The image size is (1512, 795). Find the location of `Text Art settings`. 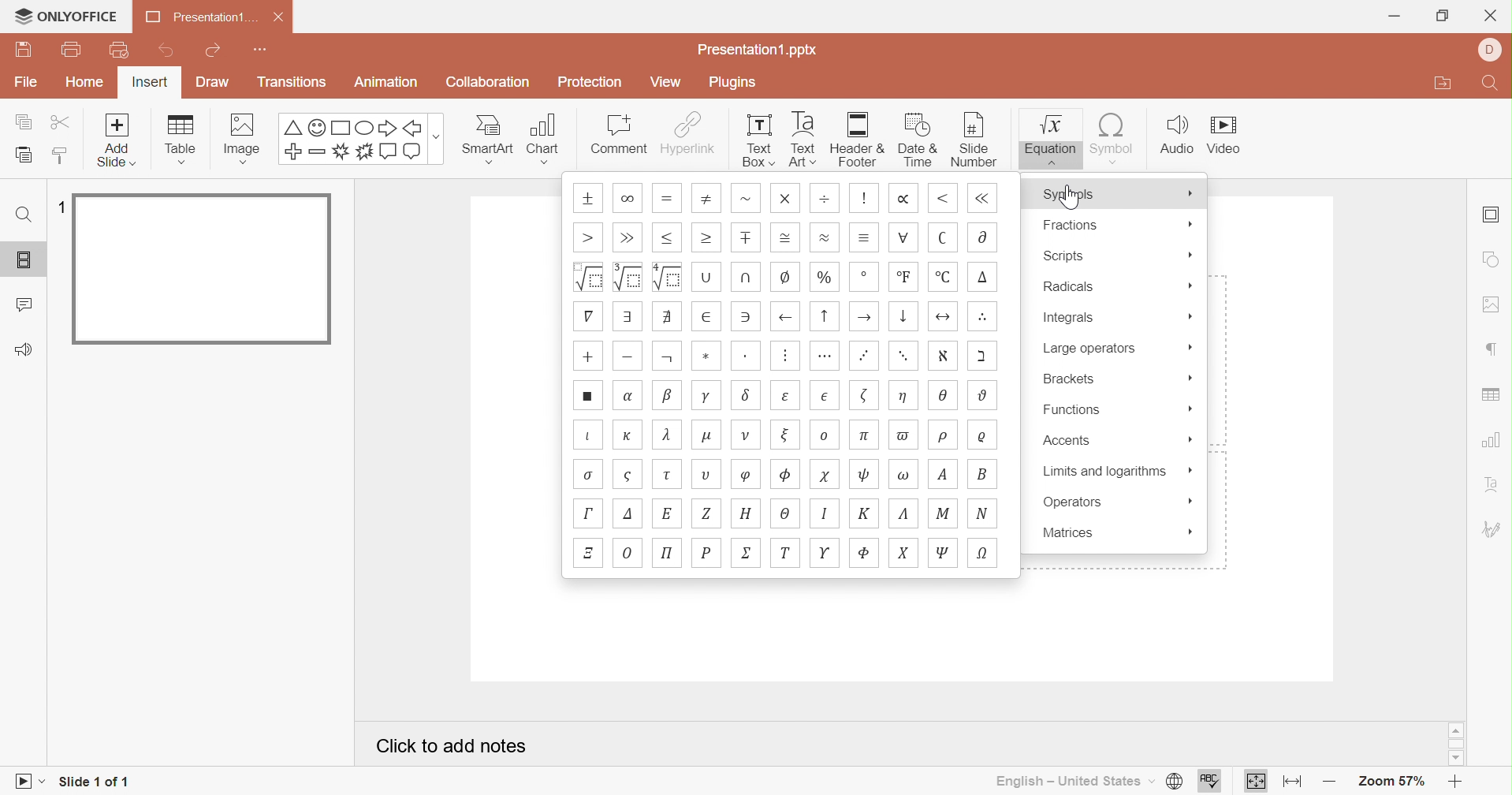

Text Art settings is located at coordinates (1492, 484).